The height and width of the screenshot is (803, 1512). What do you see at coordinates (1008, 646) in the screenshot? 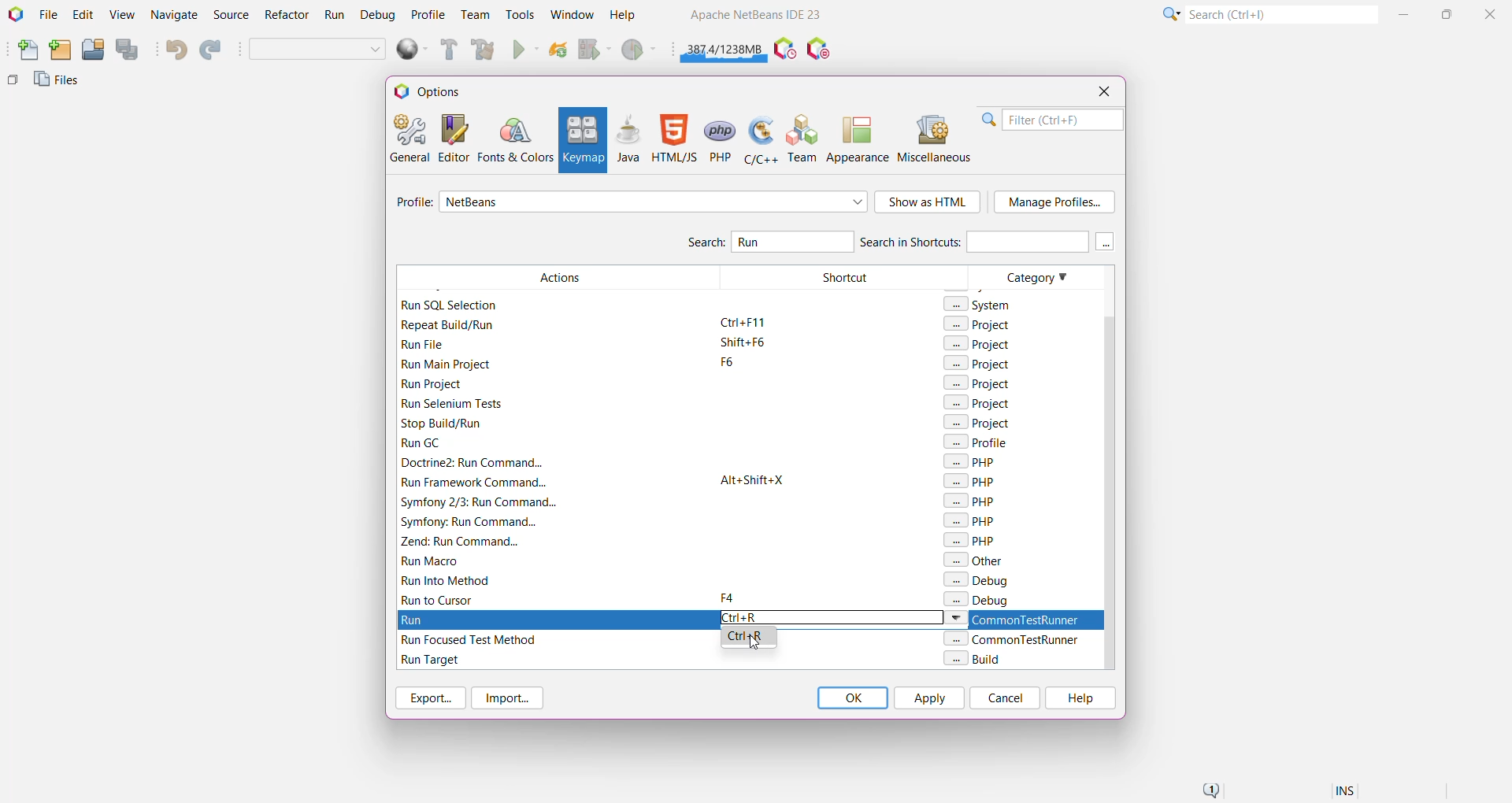
I see `Category` at bounding box center [1008, 646].